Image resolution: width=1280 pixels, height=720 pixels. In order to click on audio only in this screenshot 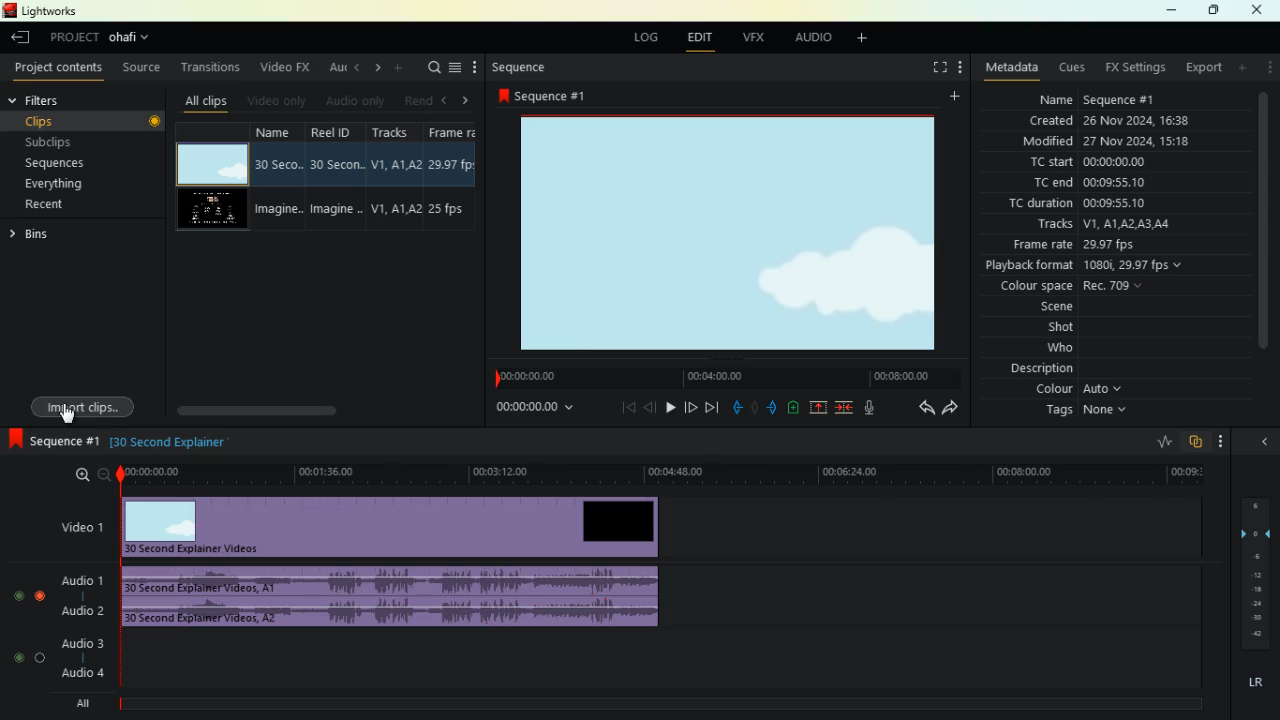, I will do `click(356, 100)`.